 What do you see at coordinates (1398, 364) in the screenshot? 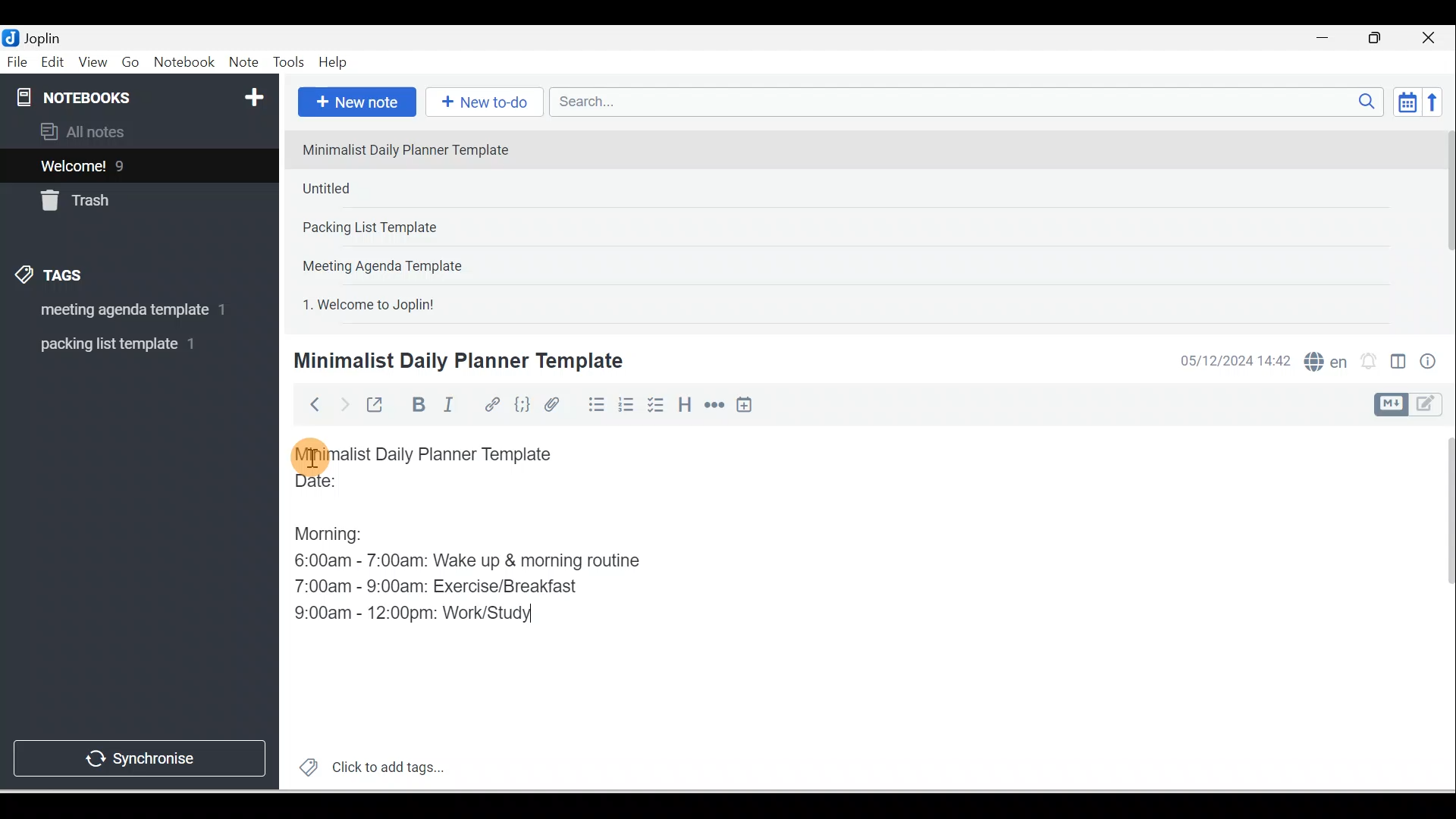
I see `Toggle editors` at bounding box center [1398, 364].